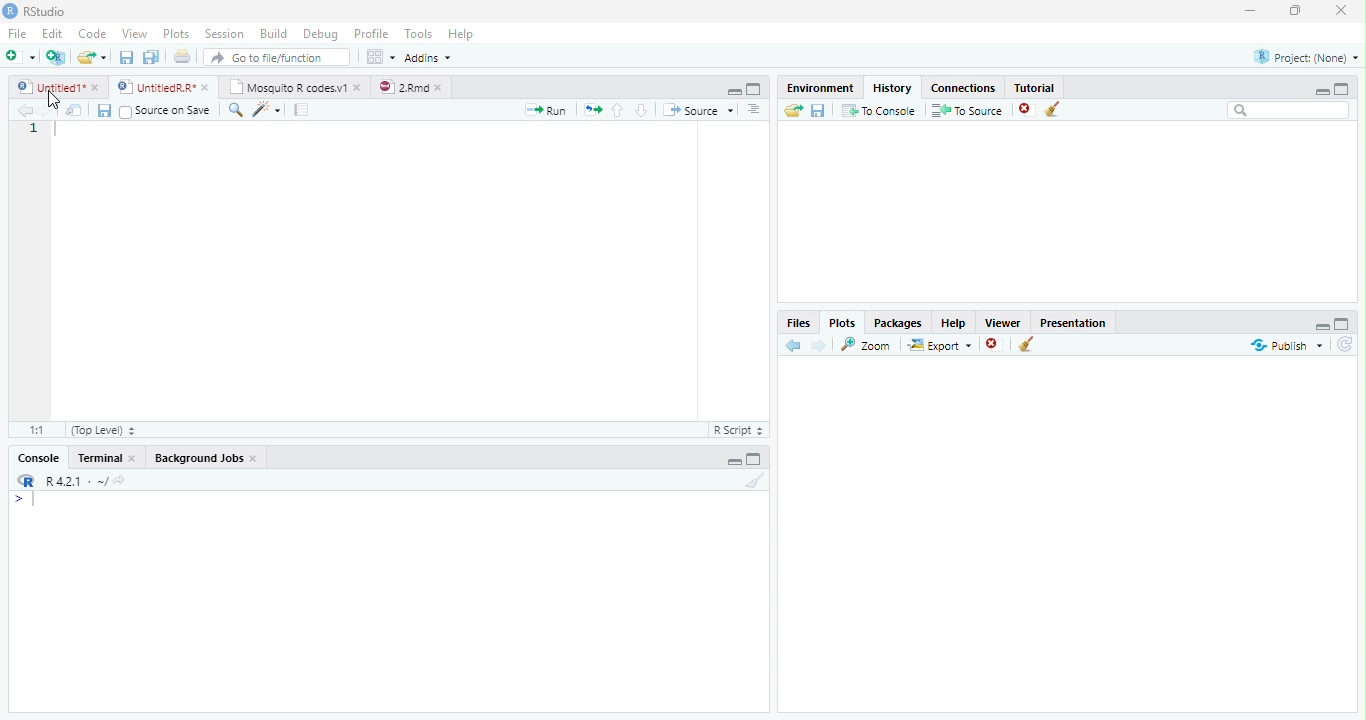 This screenshot has width=1366, height=720. What do you see at coordinates (233, 110) in the screenshot?
I see `Find/Replace` at bounding box center [233, 110].